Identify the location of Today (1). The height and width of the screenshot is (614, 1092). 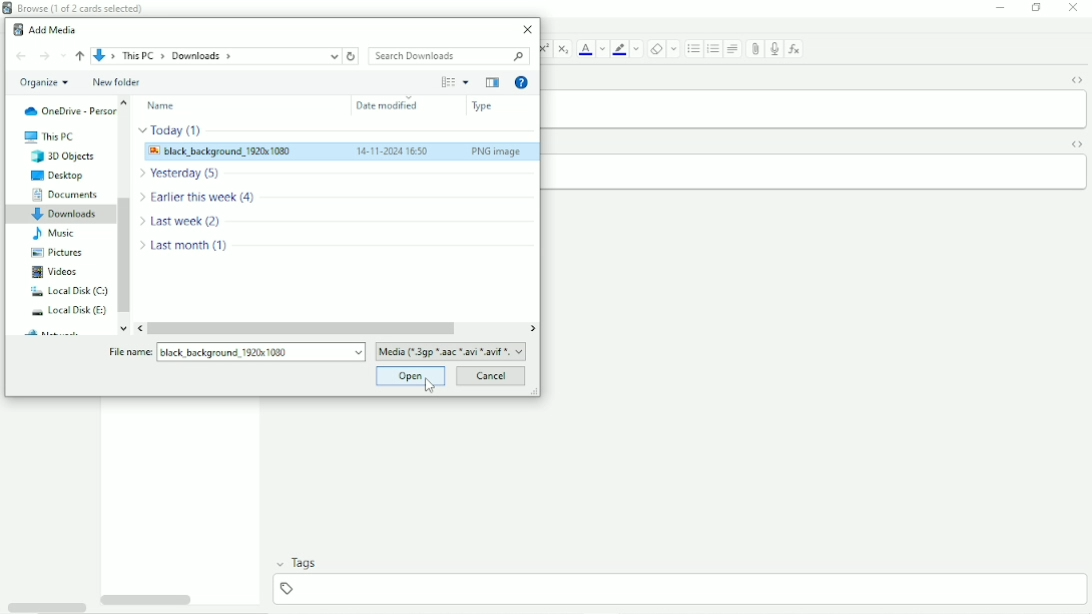
(171, 131).